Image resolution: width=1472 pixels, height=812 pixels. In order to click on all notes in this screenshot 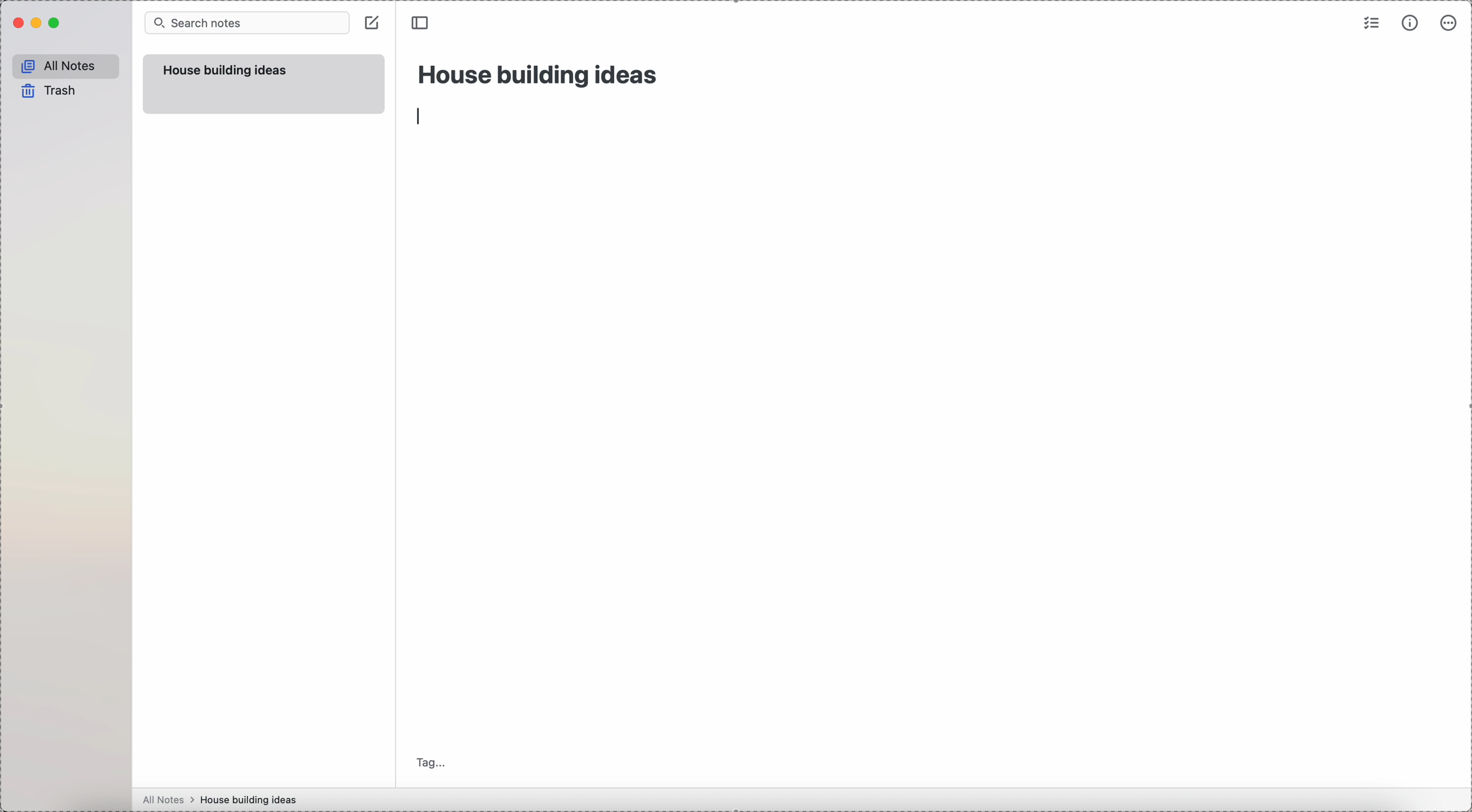, I will do `click(66, 66)`.